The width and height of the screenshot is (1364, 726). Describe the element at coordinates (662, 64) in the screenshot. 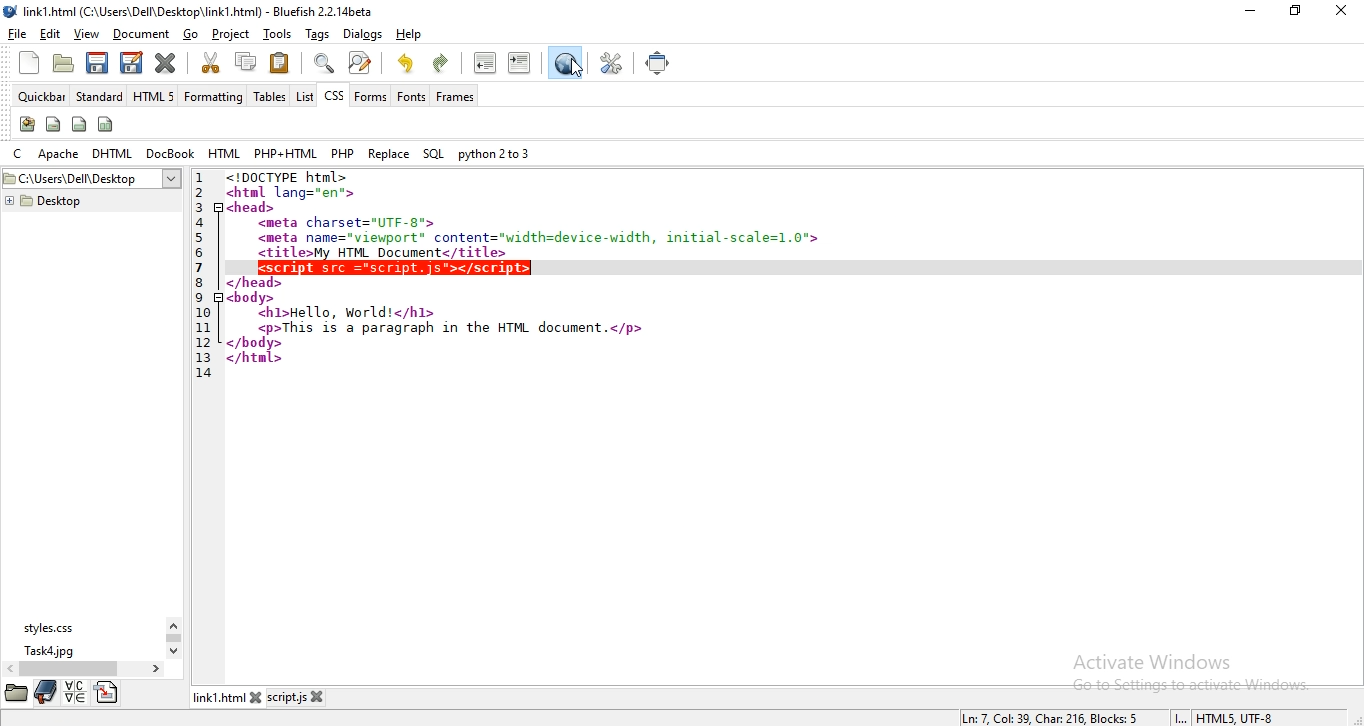

I see `full screen` at that location.